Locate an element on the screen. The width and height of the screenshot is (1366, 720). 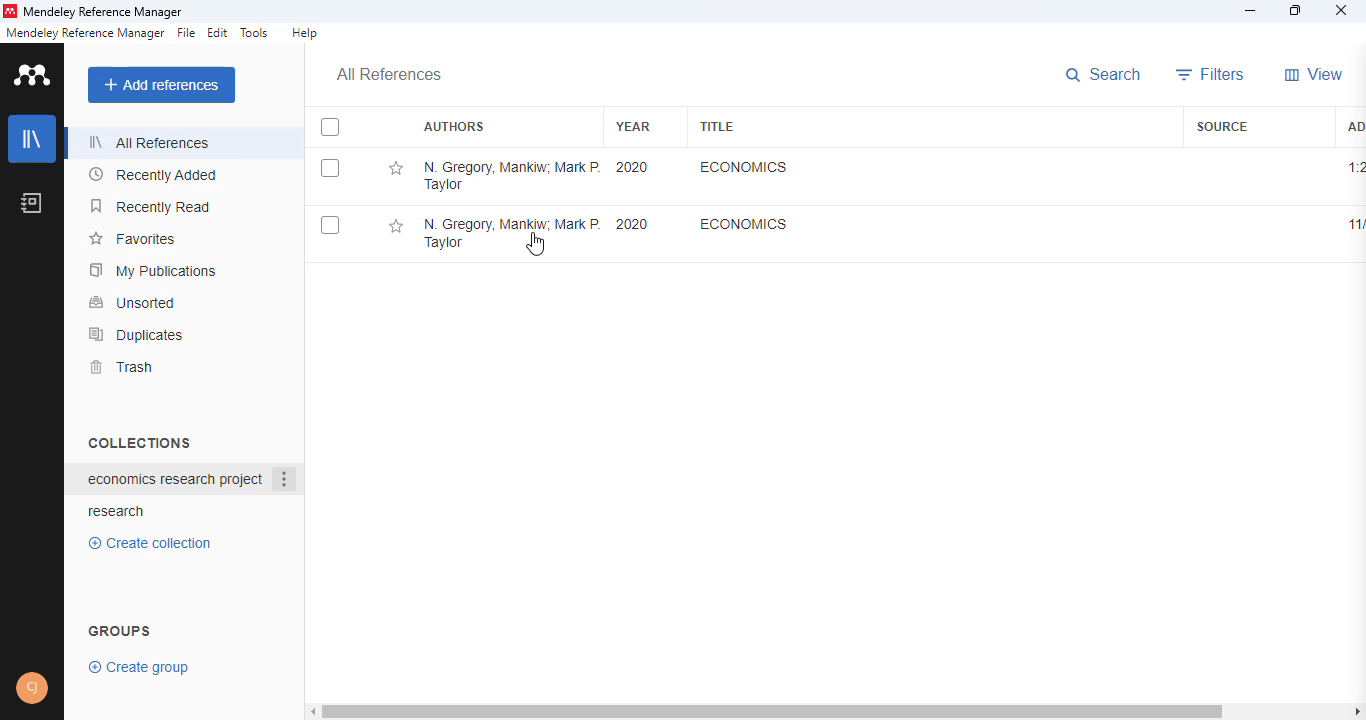
profile is located at coordinates (32, 688).